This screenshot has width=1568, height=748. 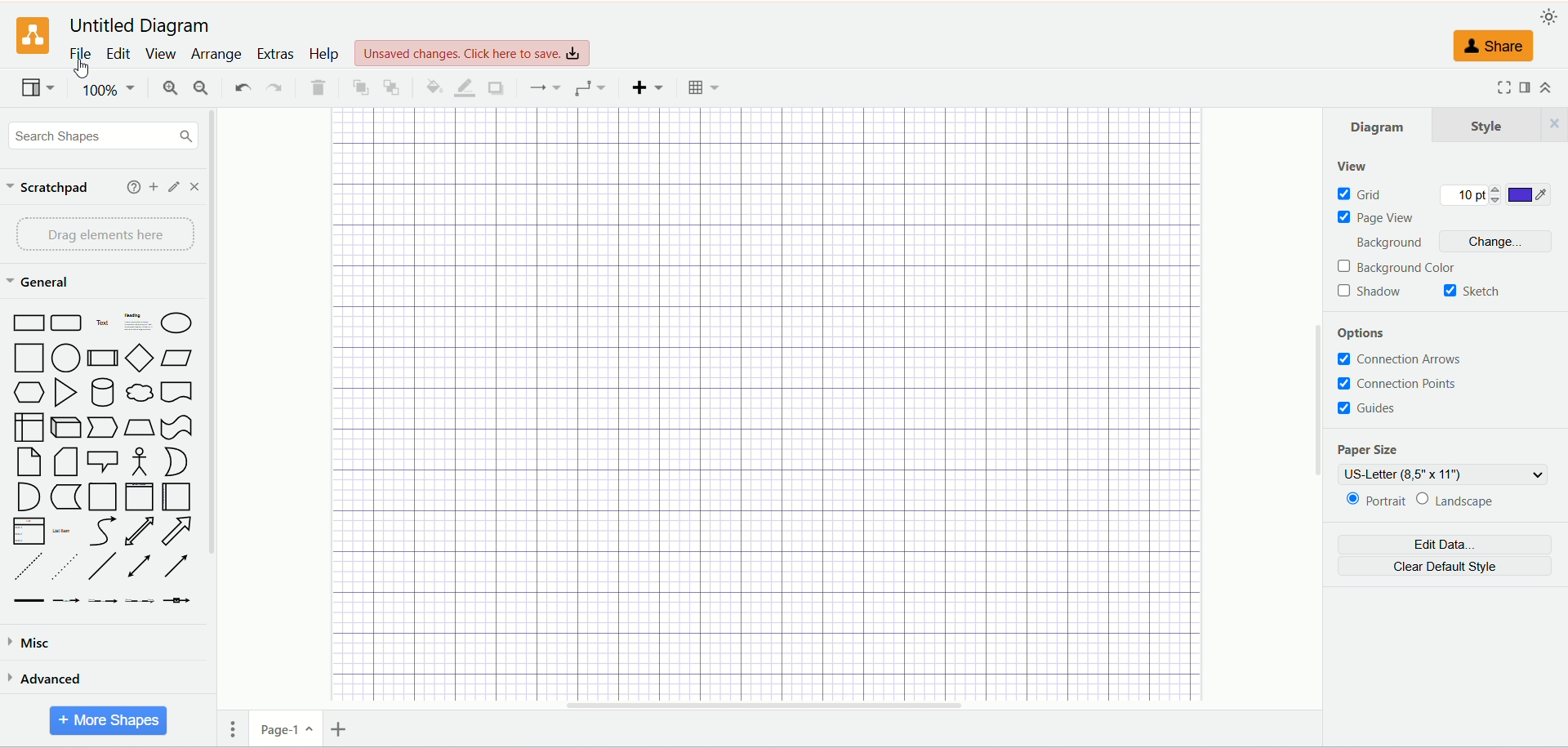 I want to click on Thought Bubble, so click(x=140, y=394).